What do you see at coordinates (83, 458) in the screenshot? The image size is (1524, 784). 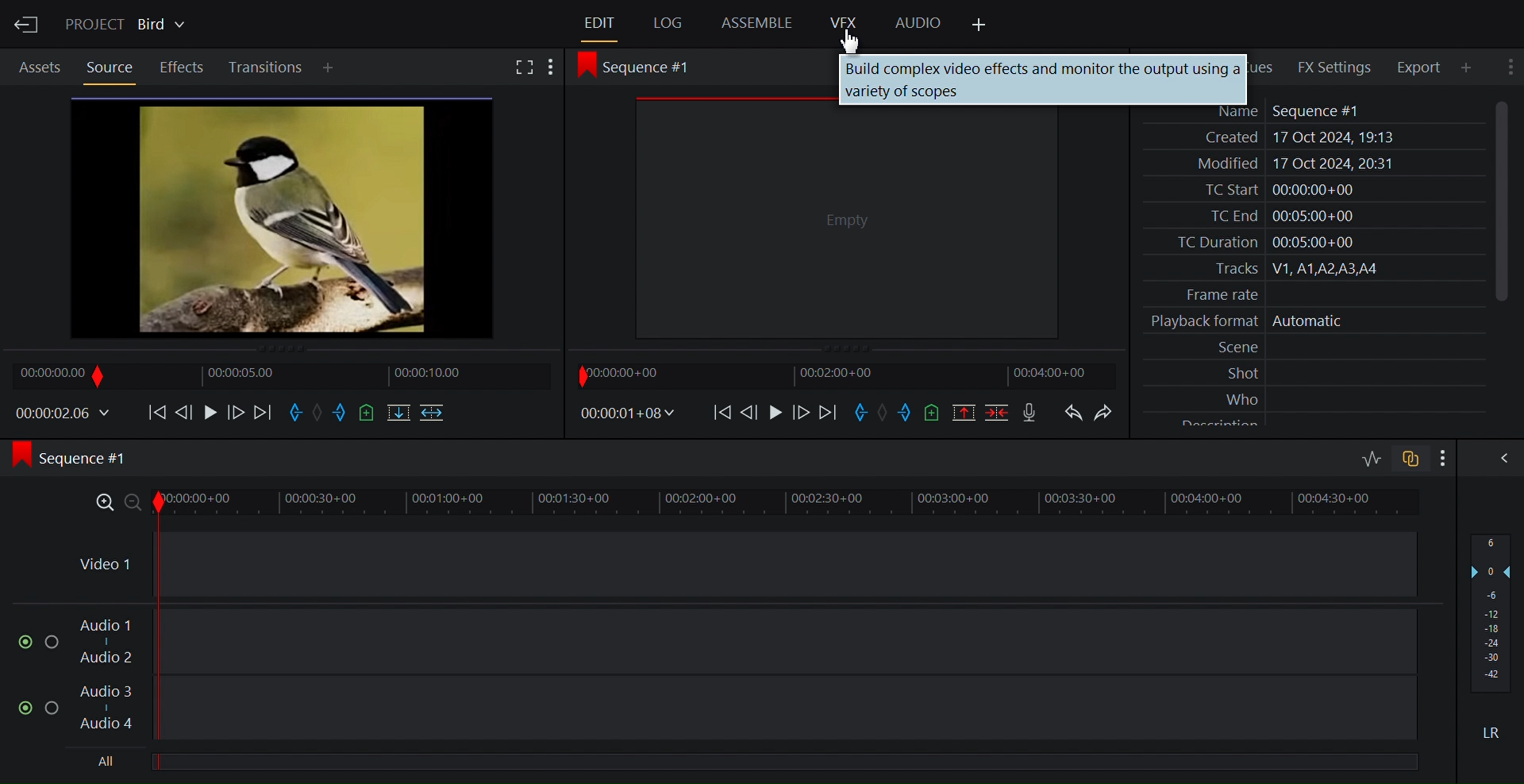 I see `Sequence 1` at bounding box center [83, 458].